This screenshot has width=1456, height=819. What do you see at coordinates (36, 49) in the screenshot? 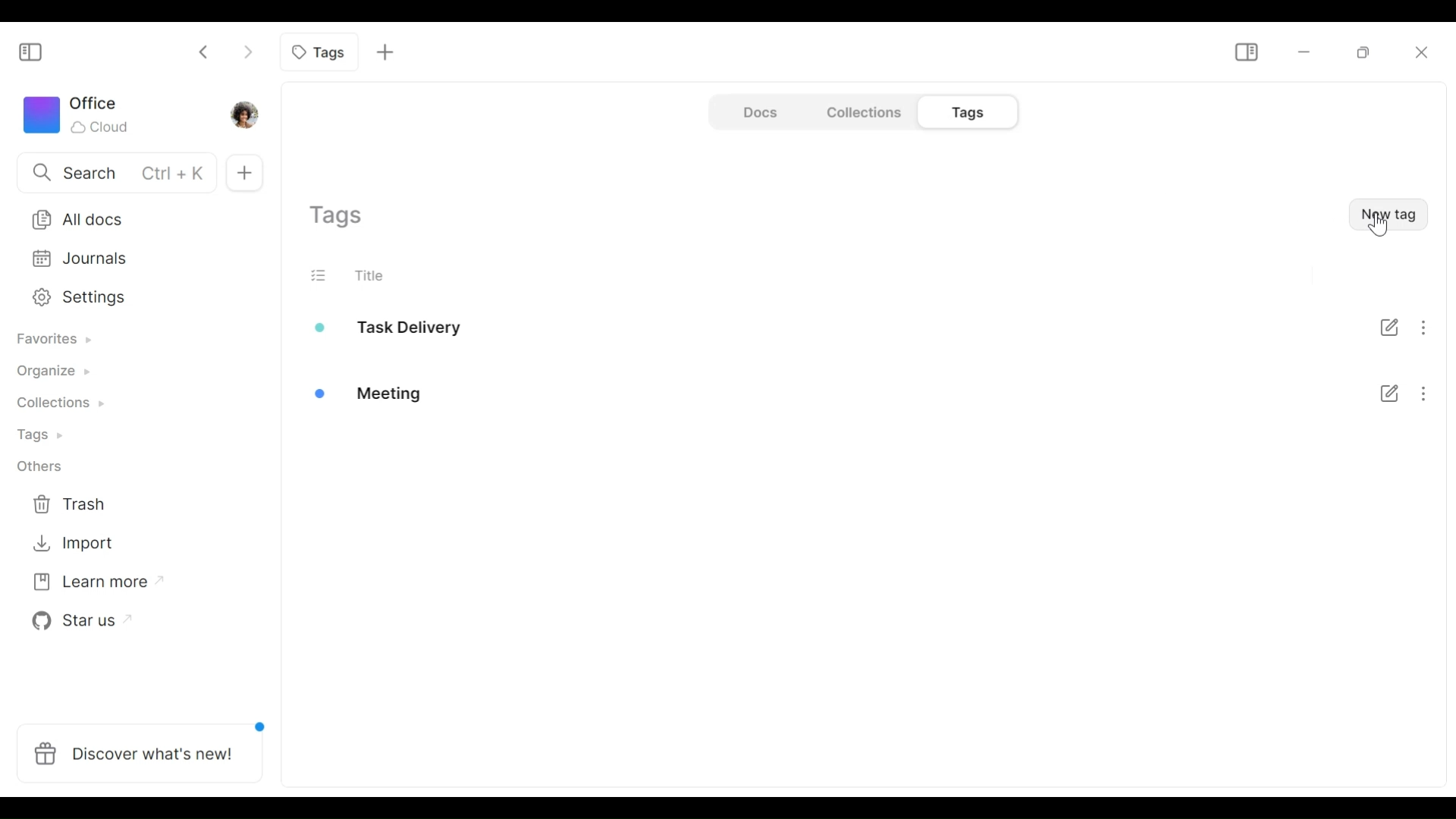
I see `Show/Hide Sidebar` at bounding box center [36, 49].